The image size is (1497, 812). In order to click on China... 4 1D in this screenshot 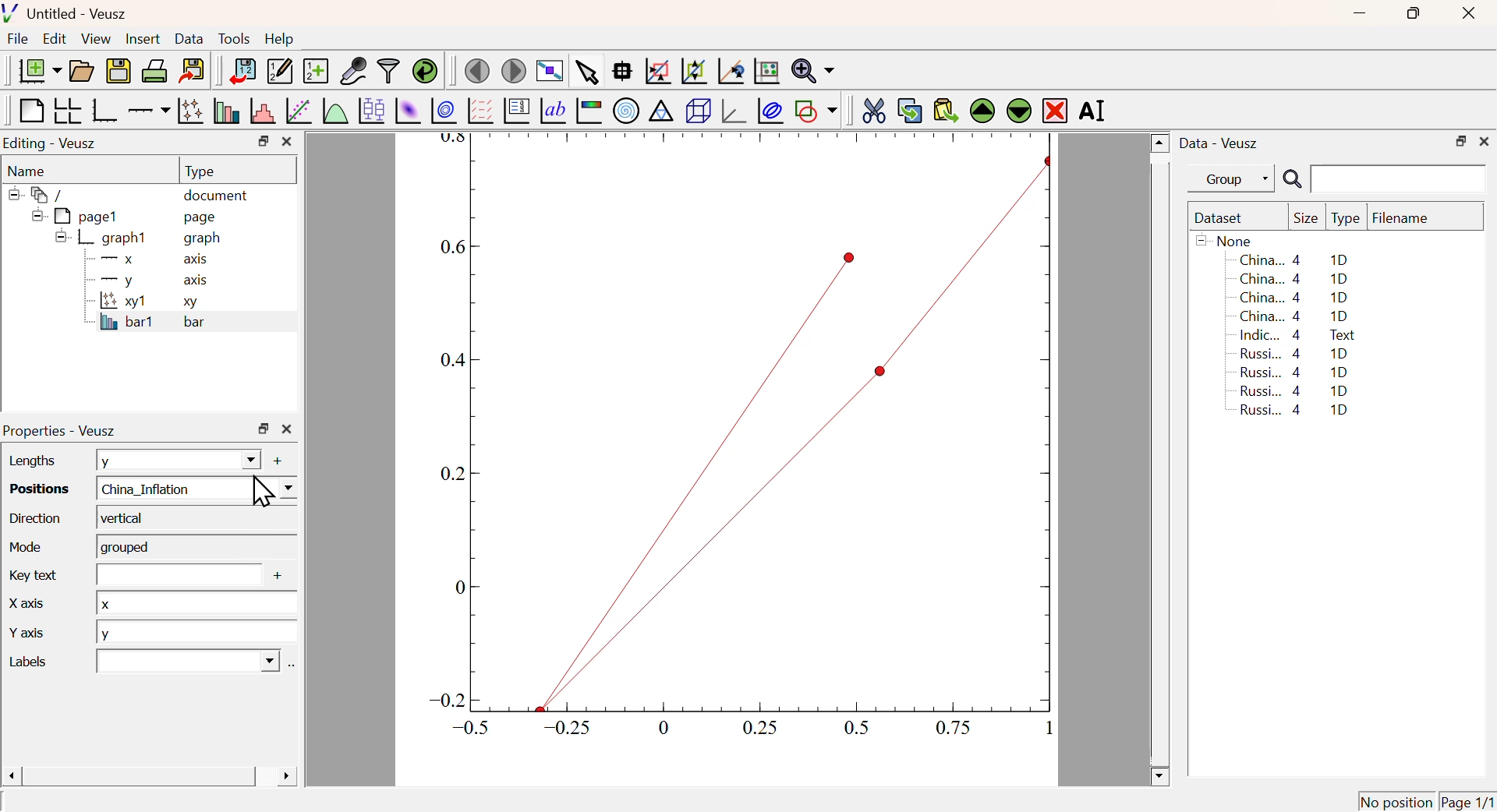, I will do `click(1297, 278)`.